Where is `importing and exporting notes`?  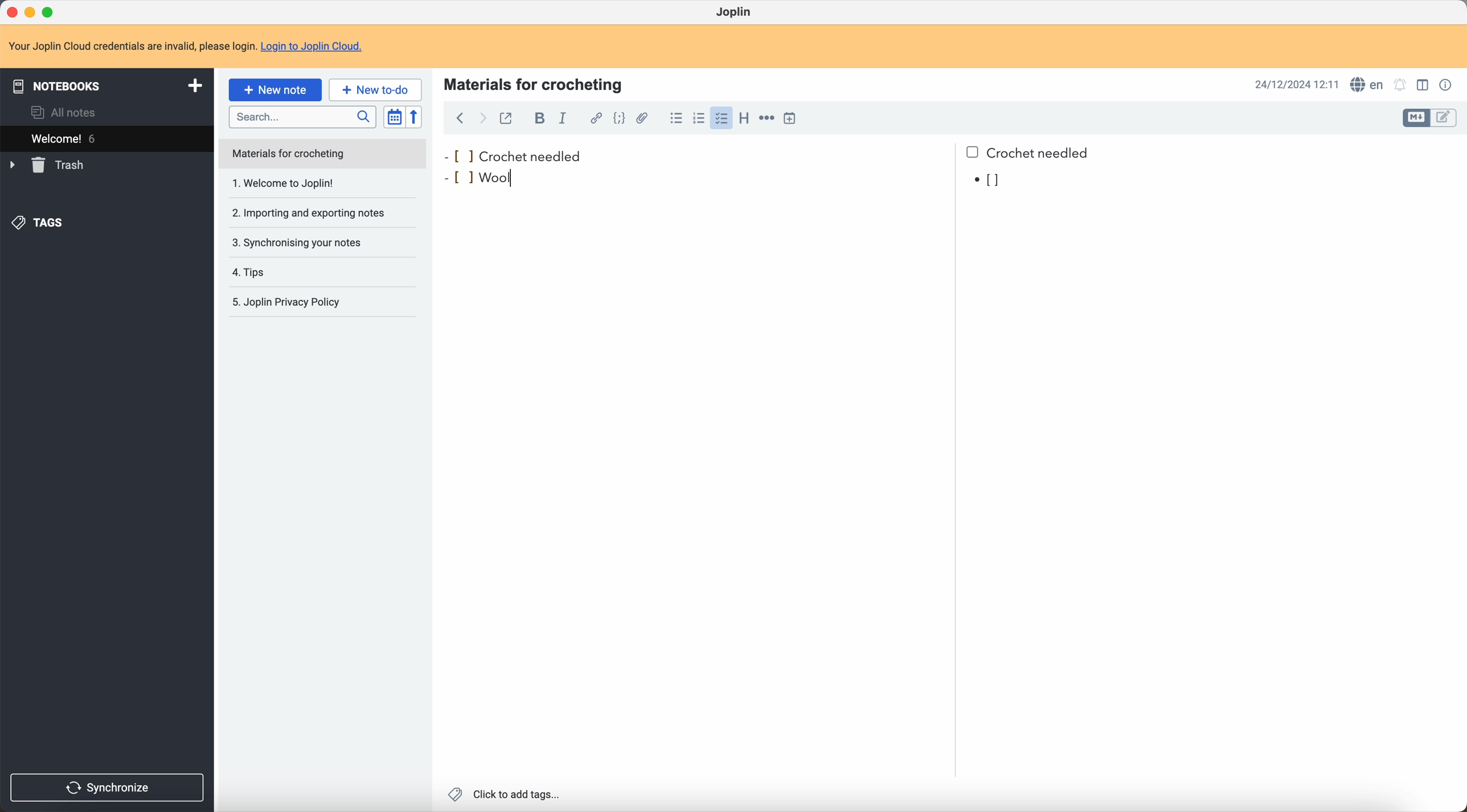
importing and exporting notes is located at coordinates (315, 212).